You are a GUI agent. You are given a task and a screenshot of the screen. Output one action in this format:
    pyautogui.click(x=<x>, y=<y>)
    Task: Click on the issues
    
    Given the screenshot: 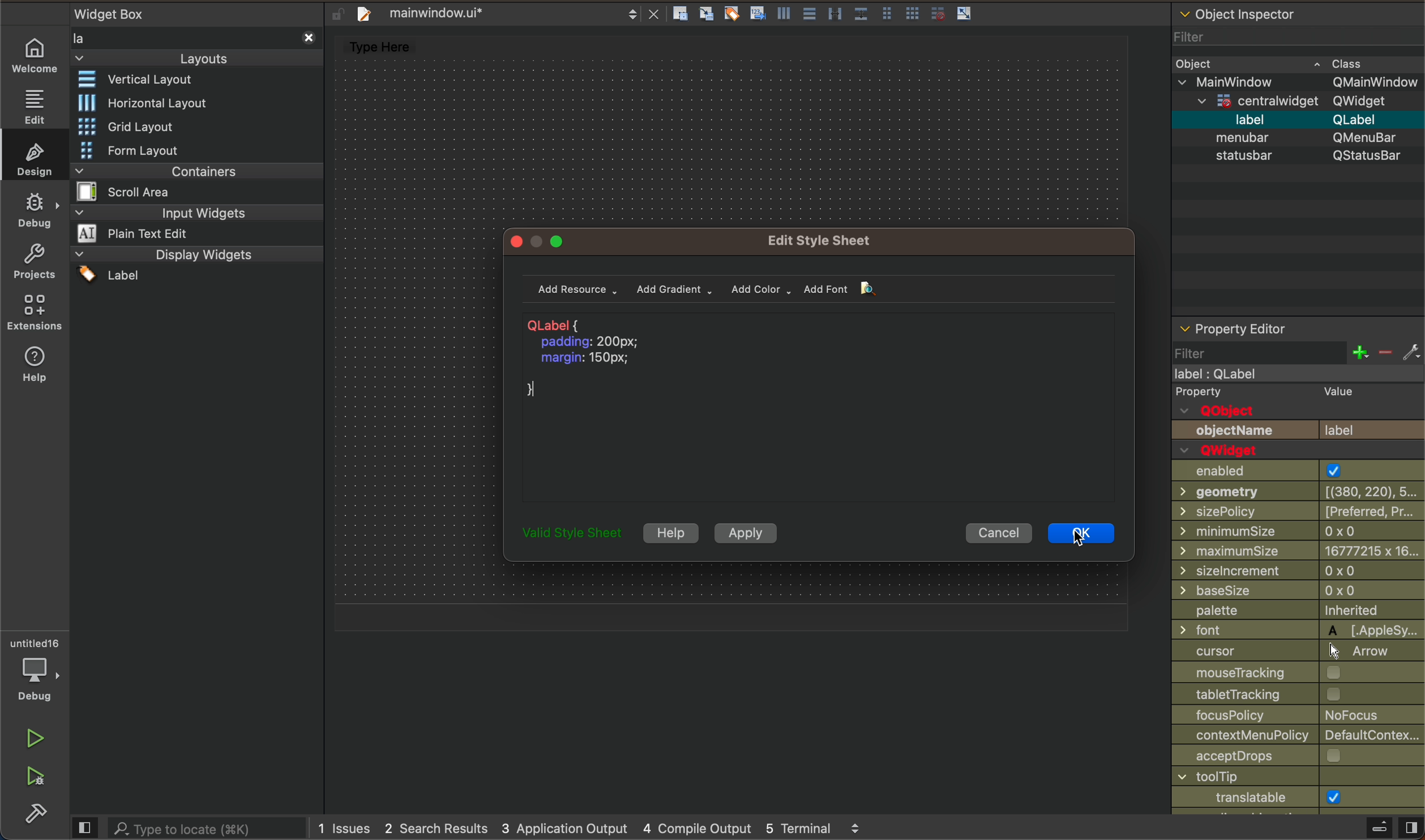 What is the action you would take?
    pyautogui.click(x=344, y=829)
    